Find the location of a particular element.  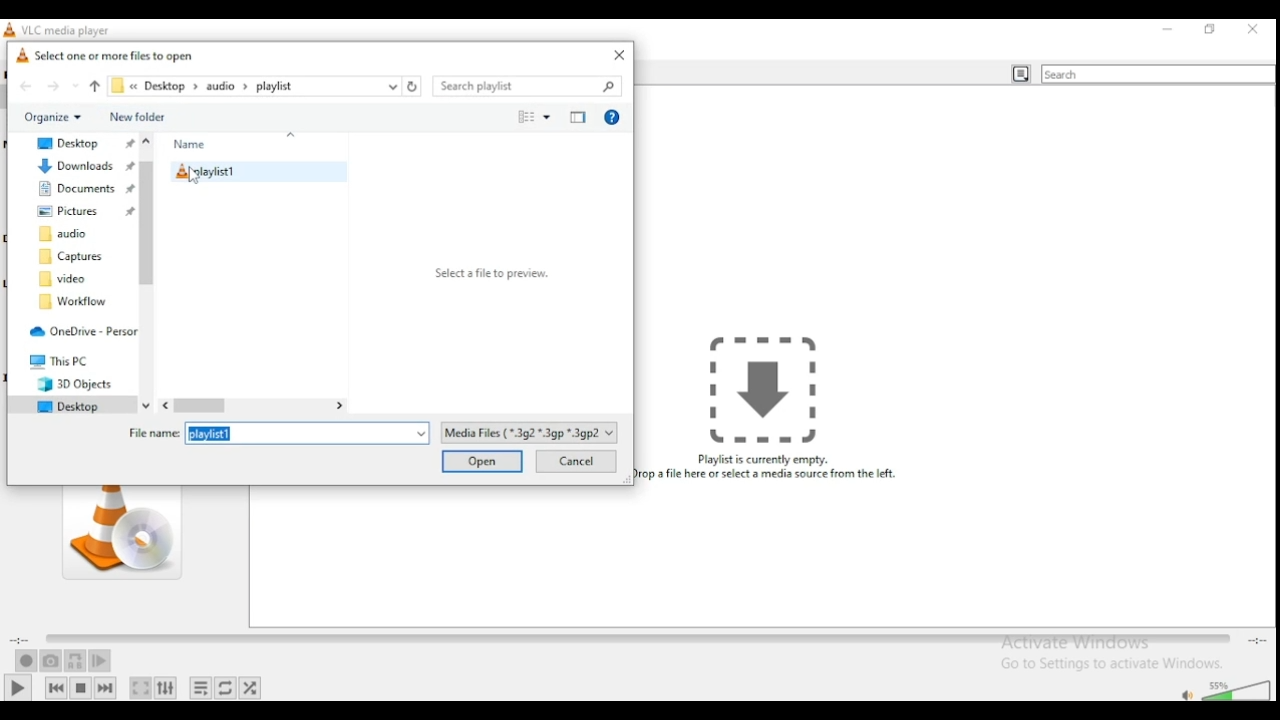

show extended settings is located at coordinates (165, 688).